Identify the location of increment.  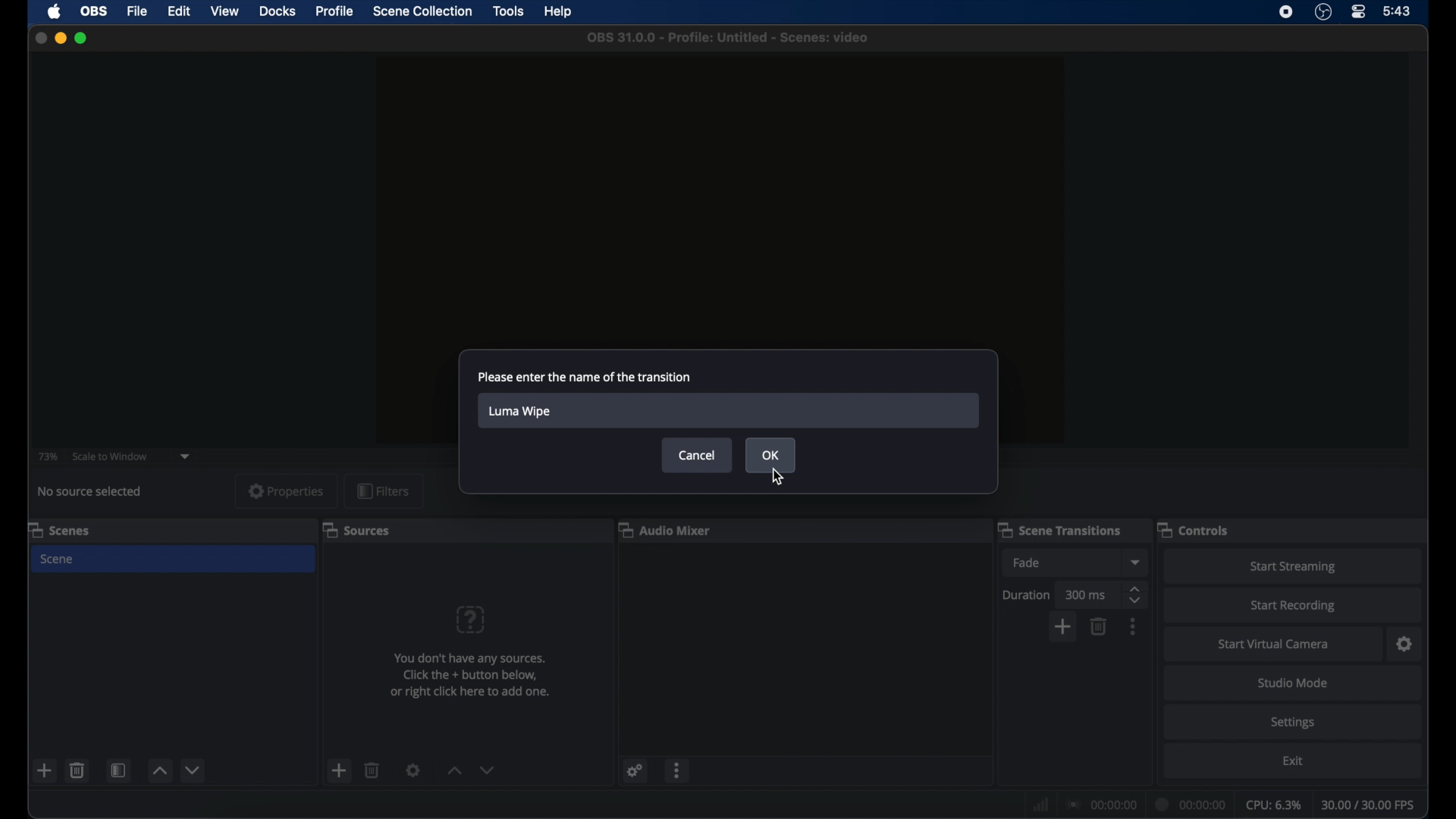
(455, 770).